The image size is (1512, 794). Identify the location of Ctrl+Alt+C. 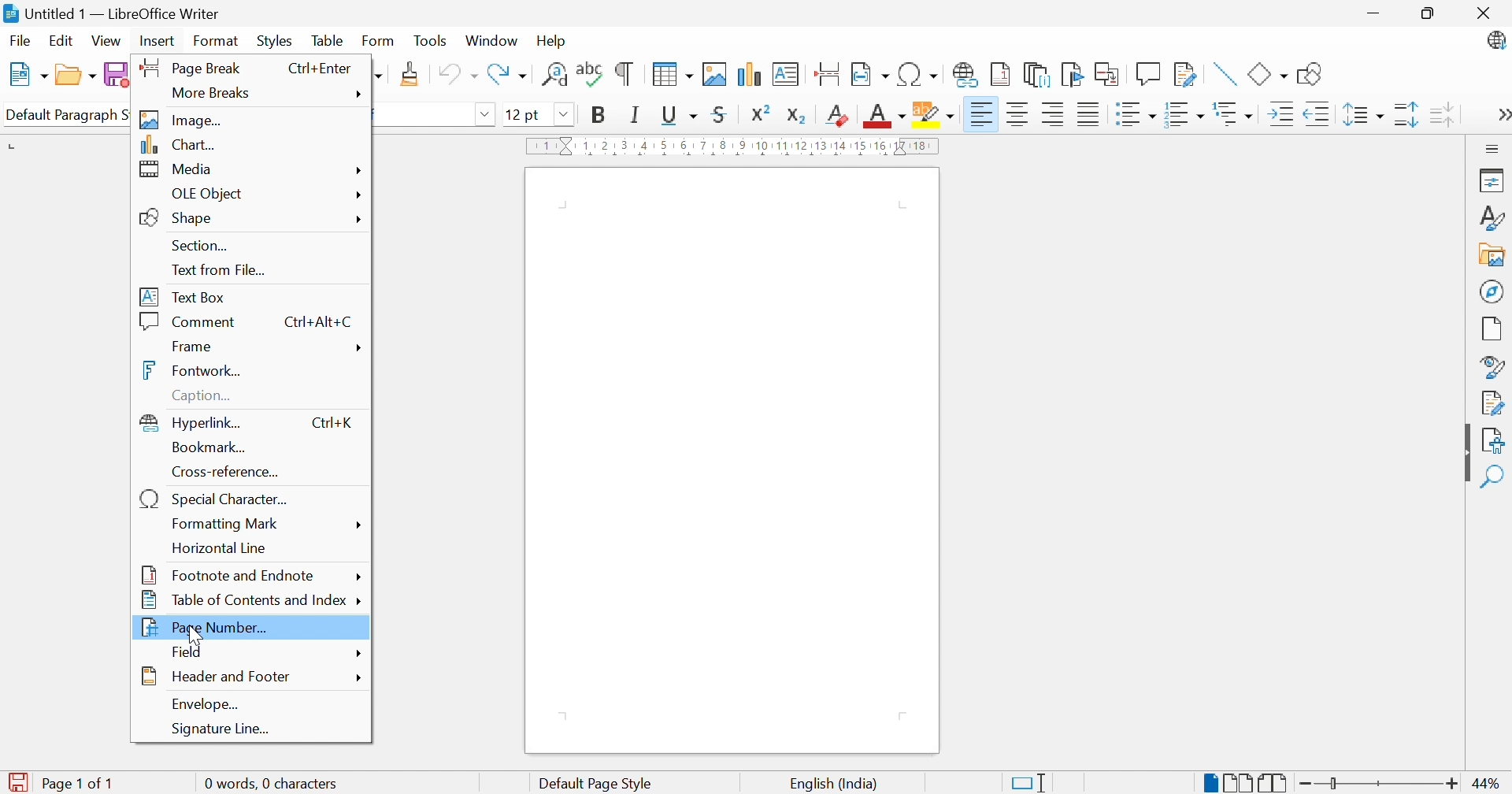
(317, 321).